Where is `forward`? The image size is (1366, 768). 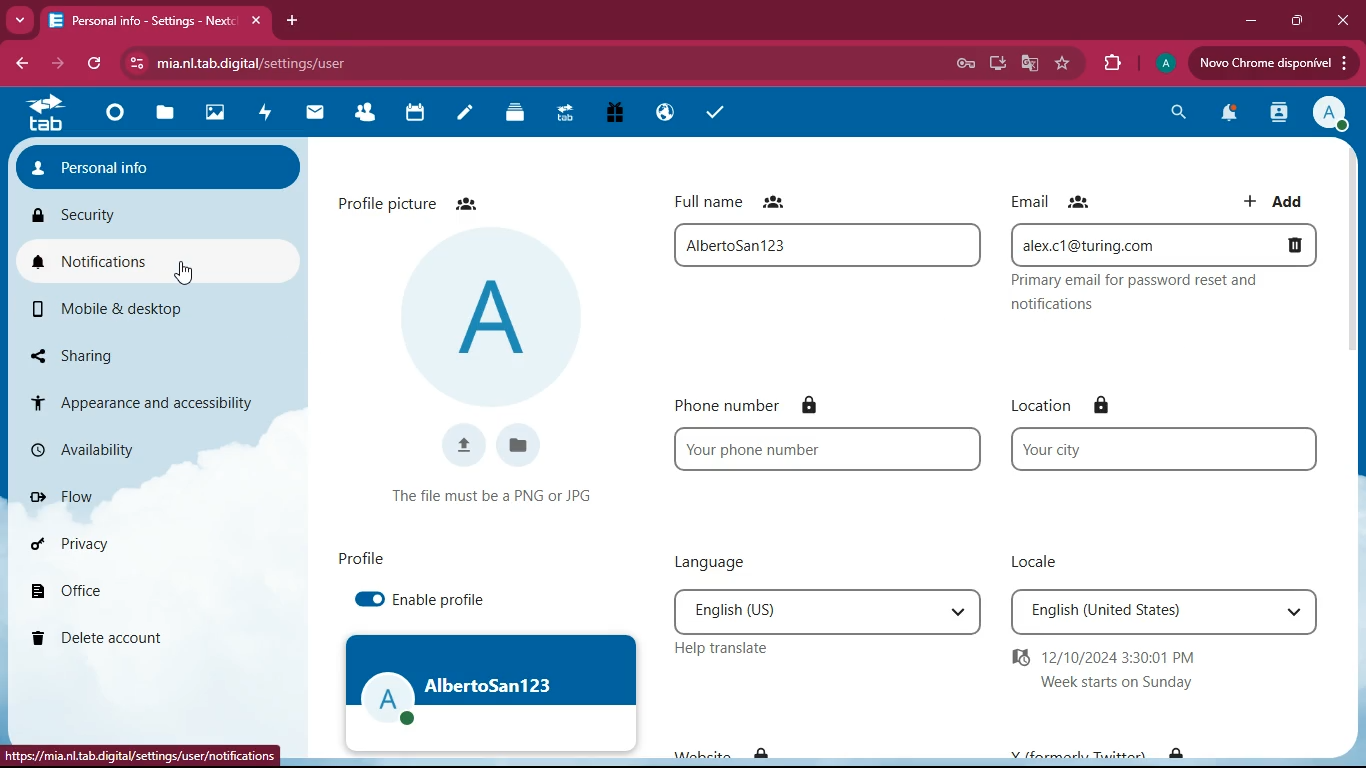 forward is located at coordinates (60, 65).